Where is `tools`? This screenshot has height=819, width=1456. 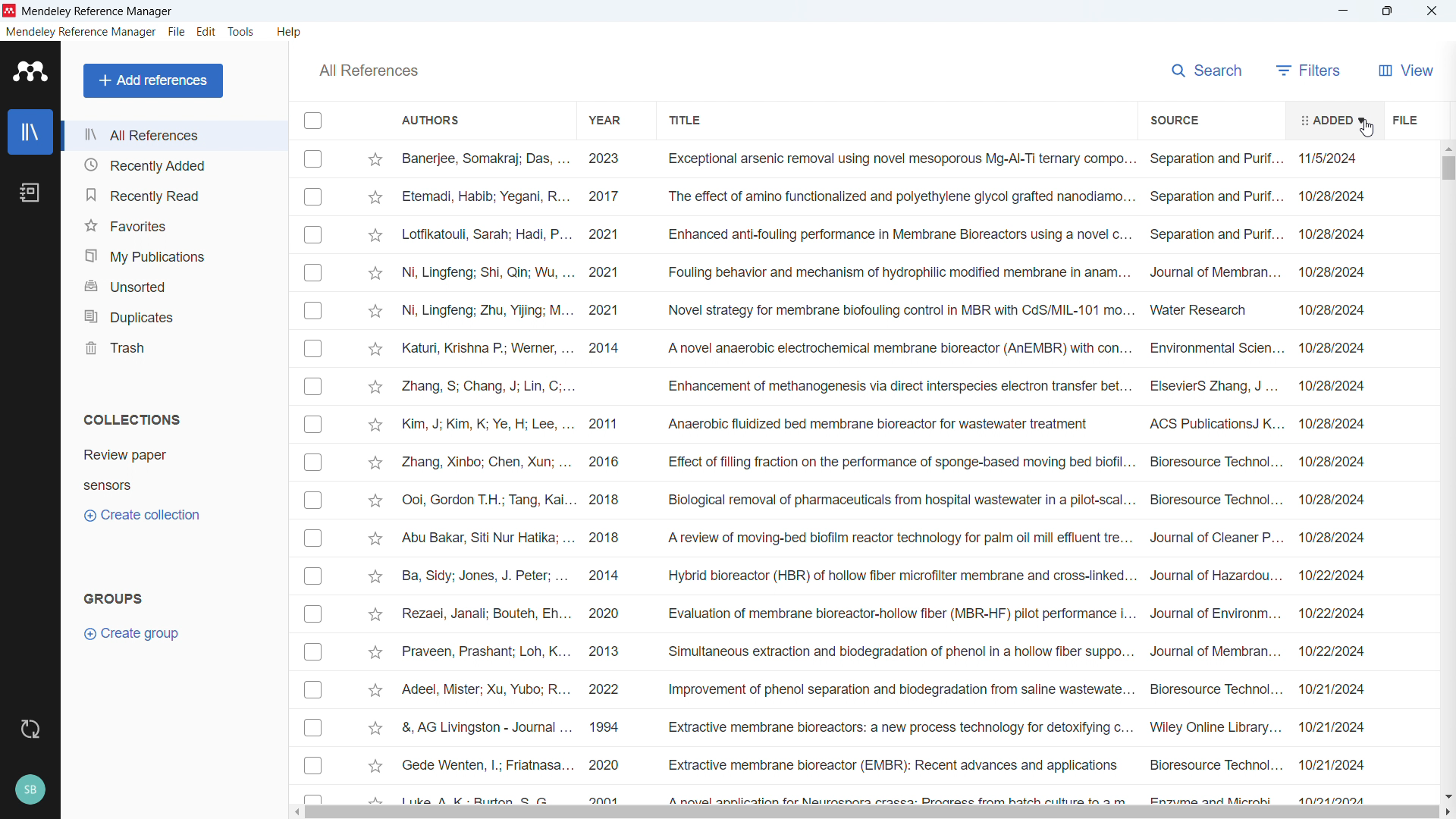
tools is located at coordinates (242, 31).